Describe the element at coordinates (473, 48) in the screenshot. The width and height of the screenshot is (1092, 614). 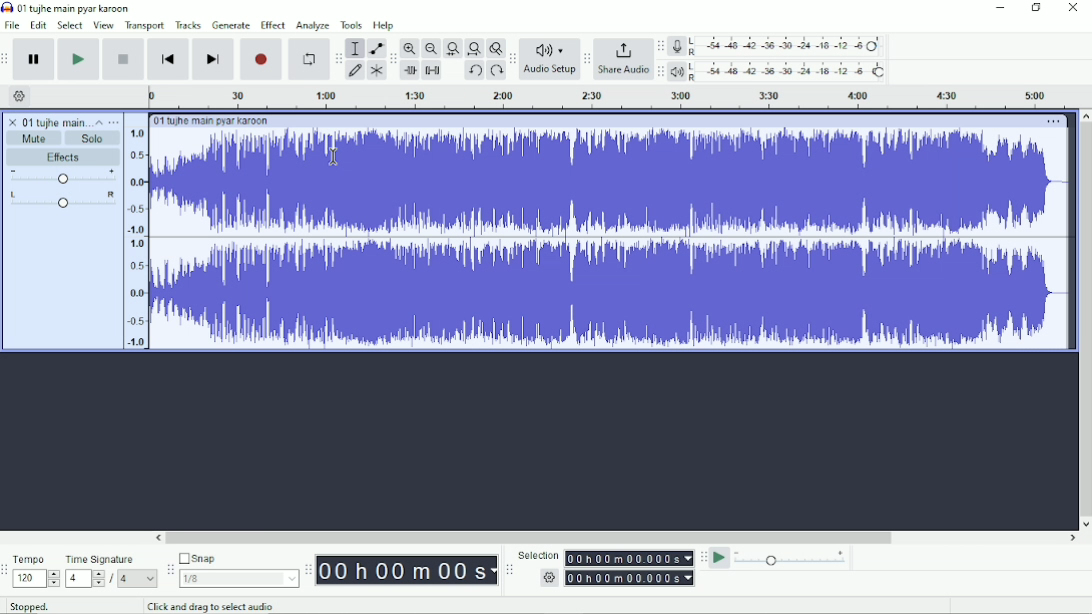
I see `Fit project to width` at that location.